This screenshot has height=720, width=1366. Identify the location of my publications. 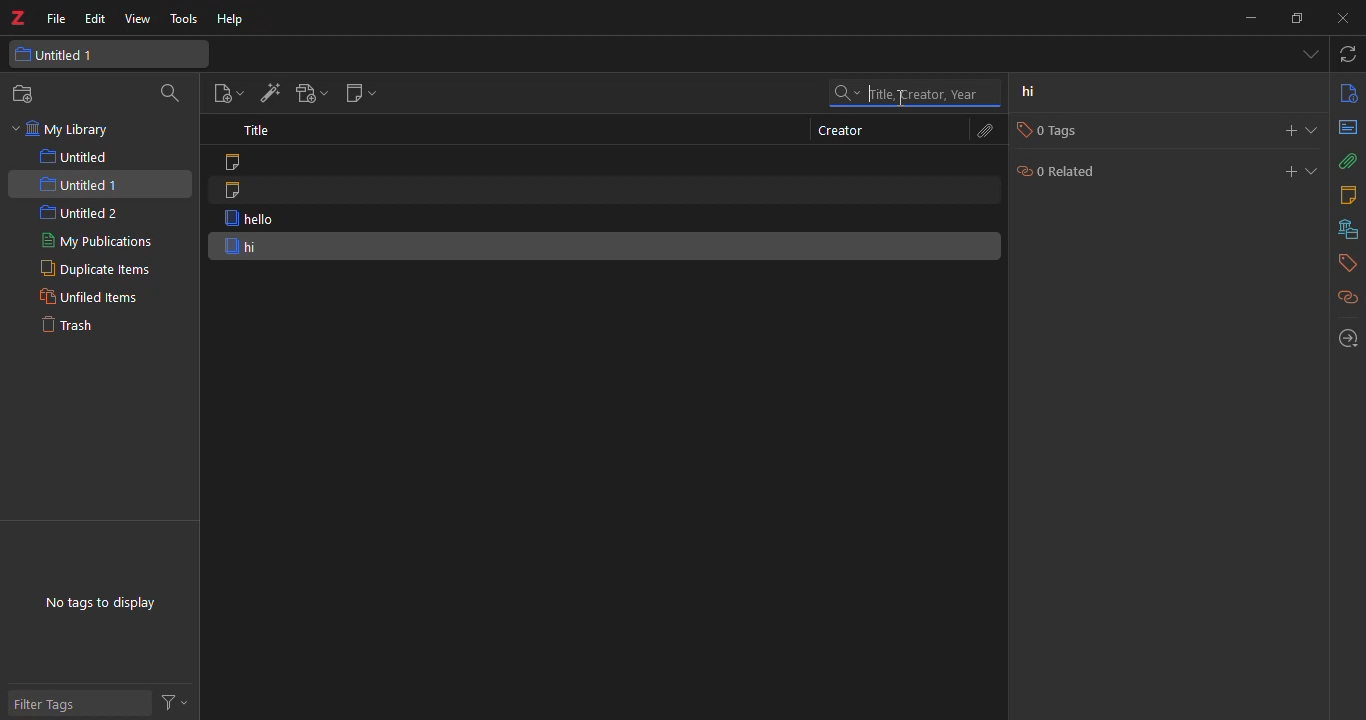
(96, 240).